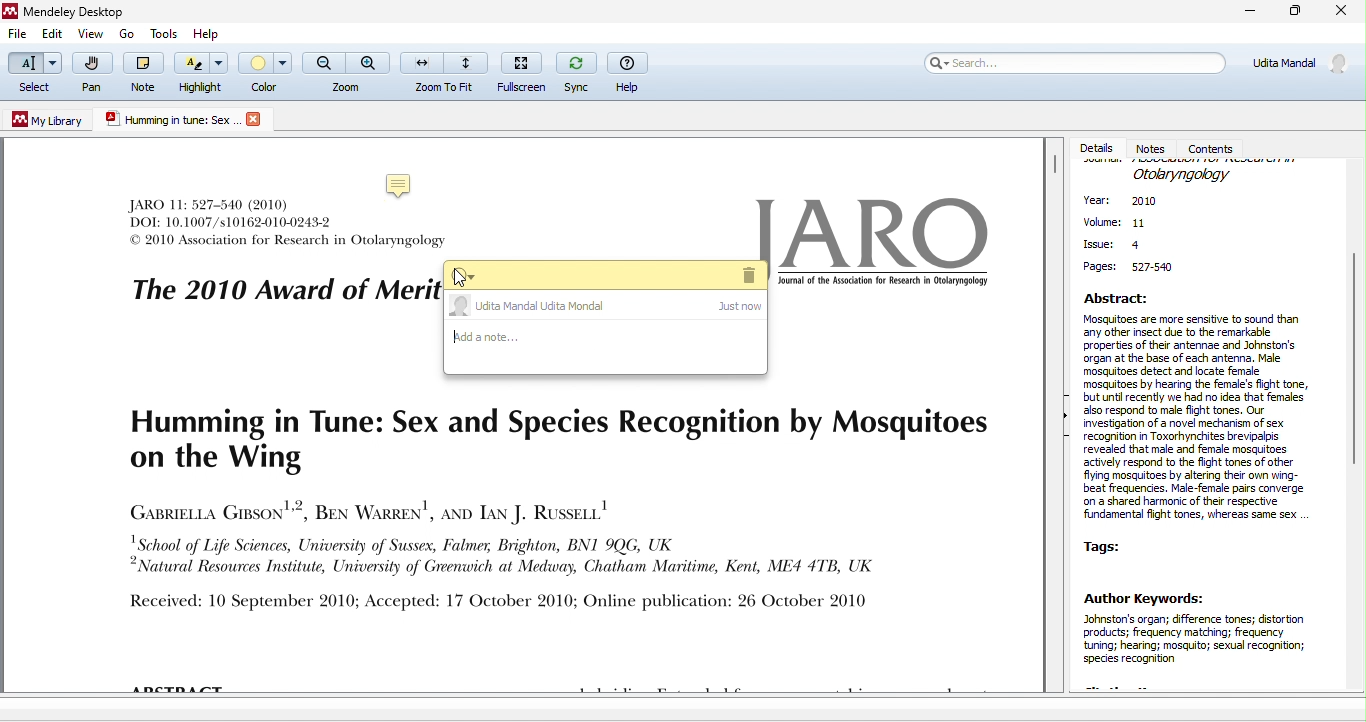  I want to click on year:2010, so click(1133, 203).